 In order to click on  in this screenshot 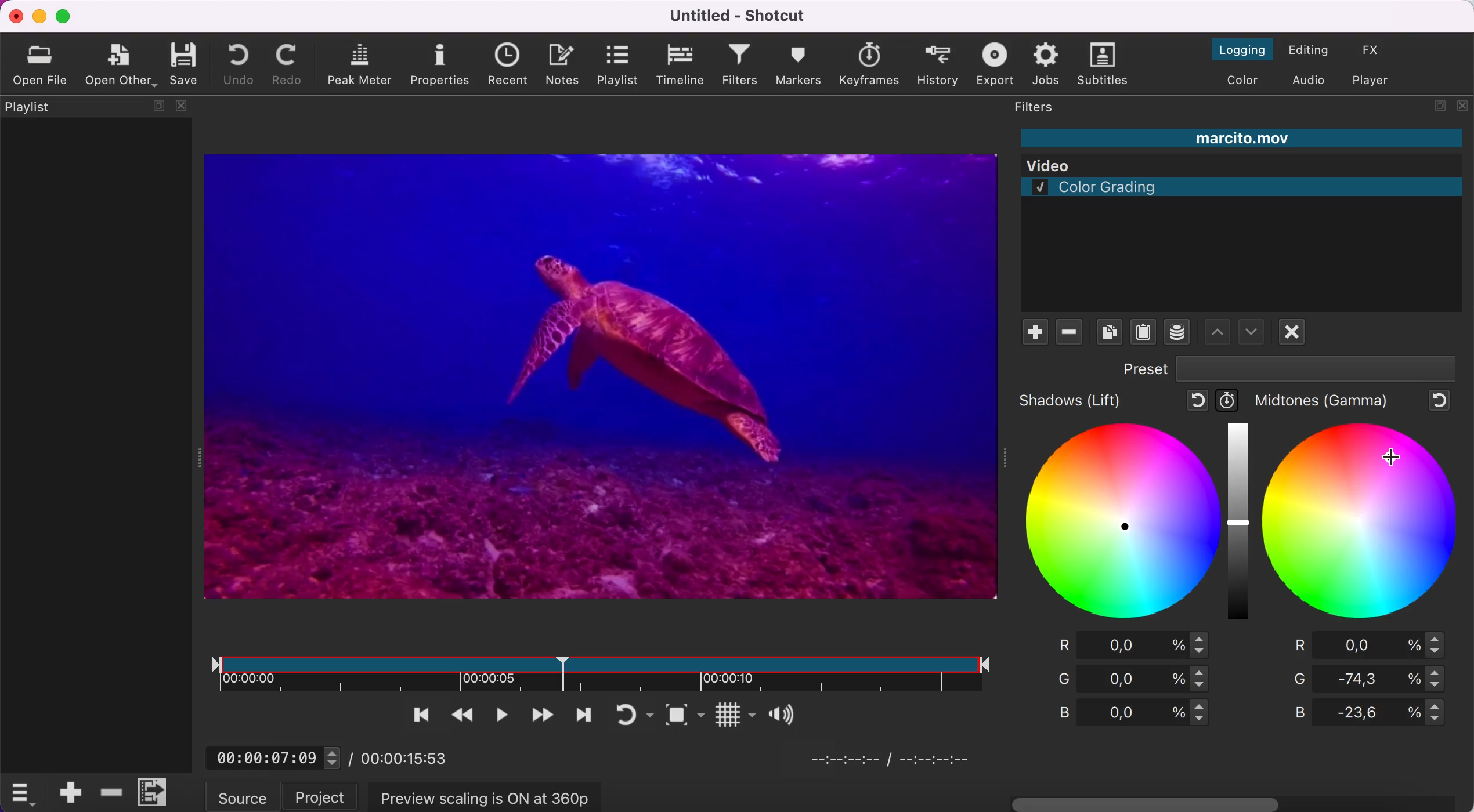, I will do `click(782, 713)`.